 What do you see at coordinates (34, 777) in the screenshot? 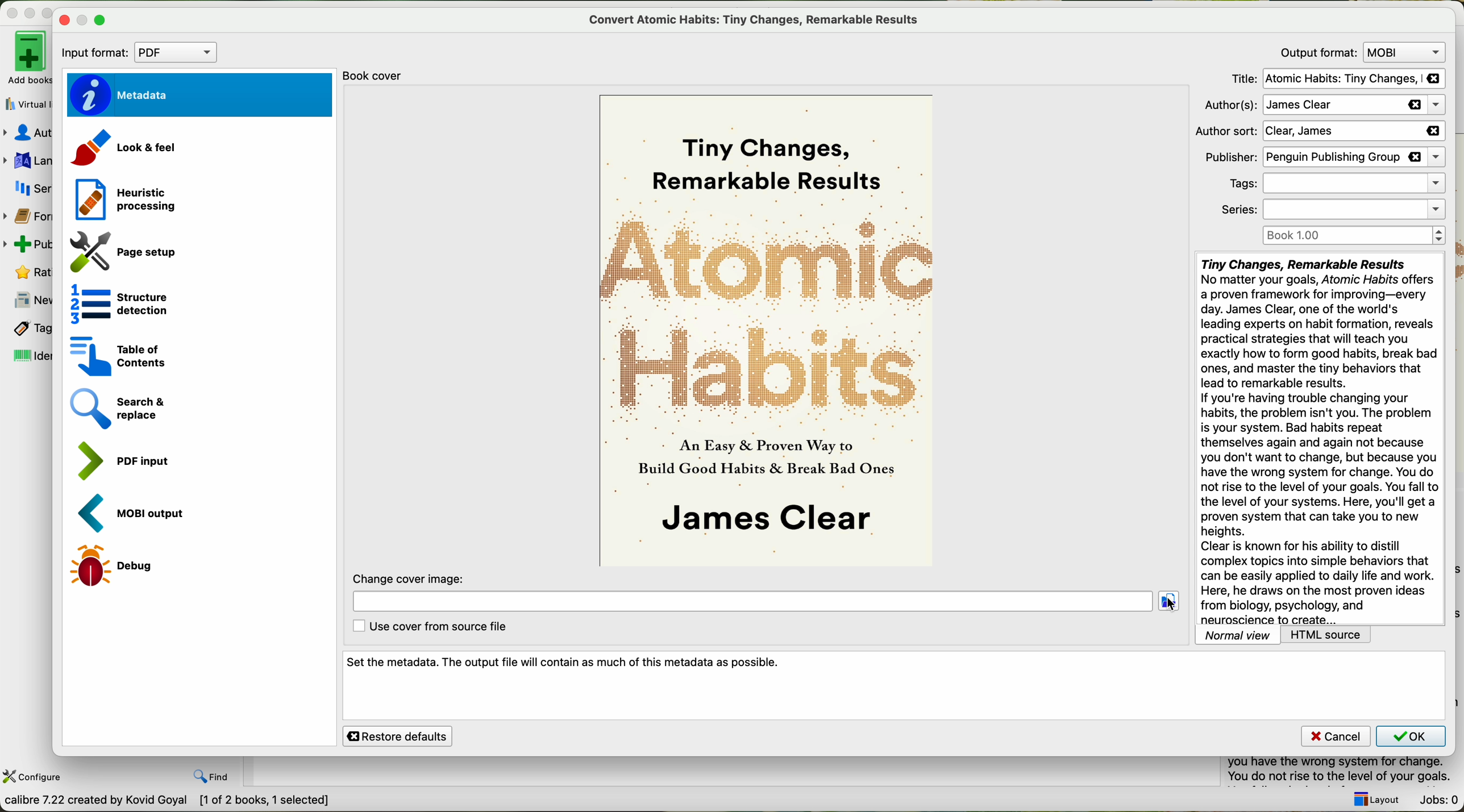
I see `configure` at bounding box center [34, 777].